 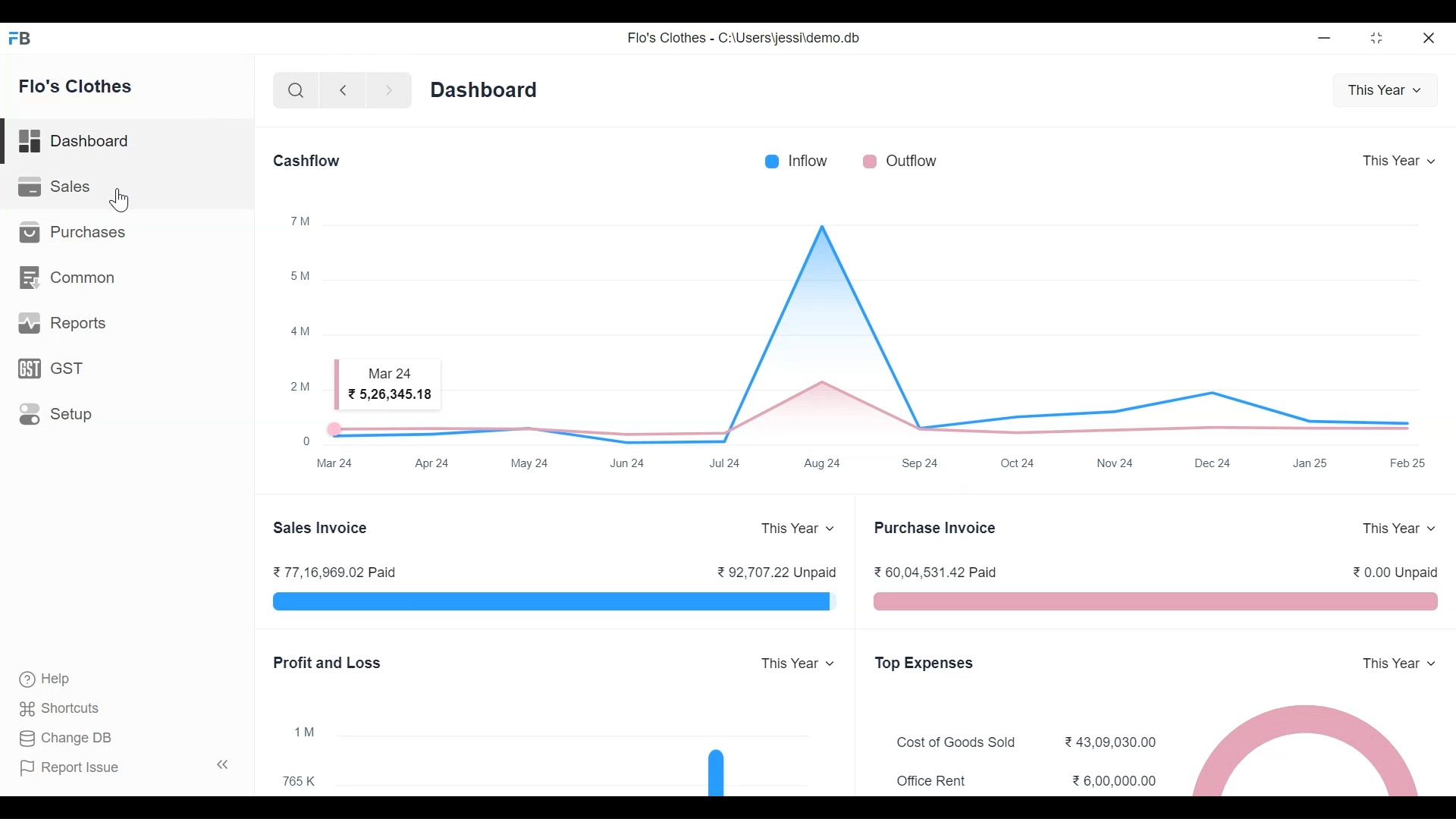 I want to click on Apr 24, so click(x=435, y=463).